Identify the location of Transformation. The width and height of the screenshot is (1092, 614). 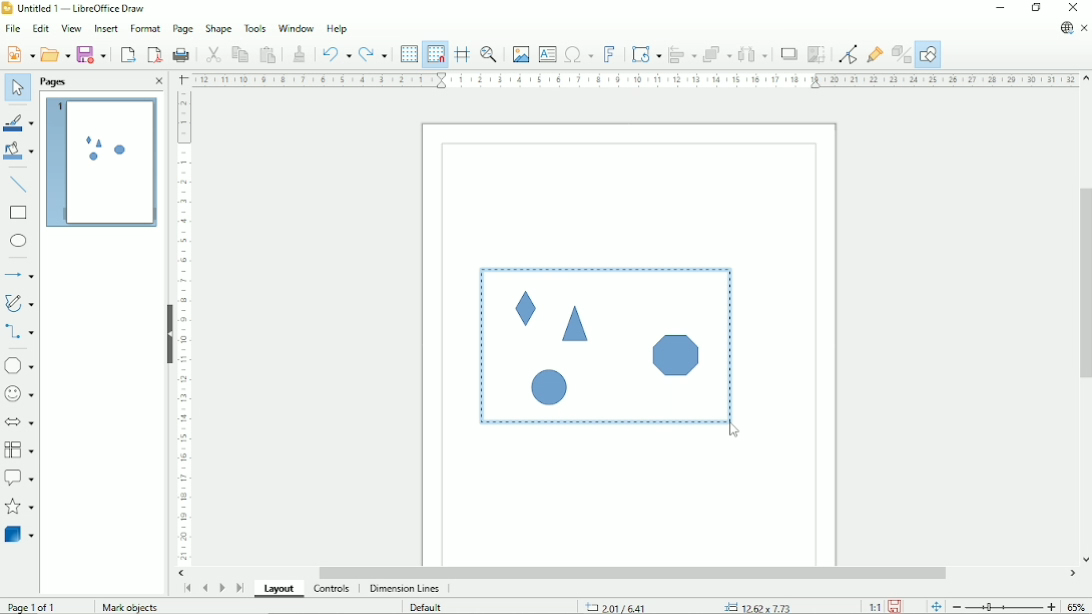
(646, 54).